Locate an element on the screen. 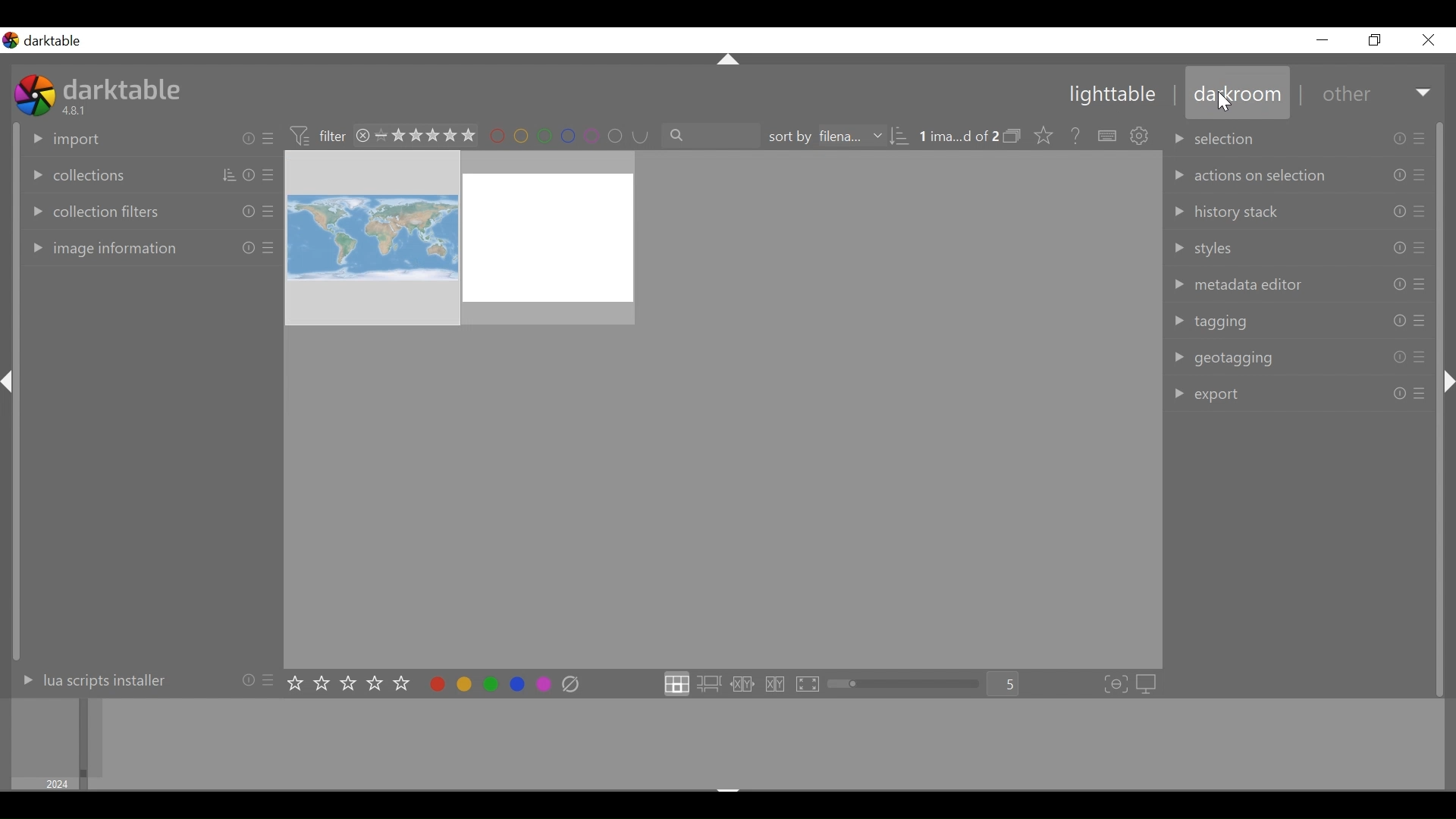  Restore is located at coordinates (1379, 39).